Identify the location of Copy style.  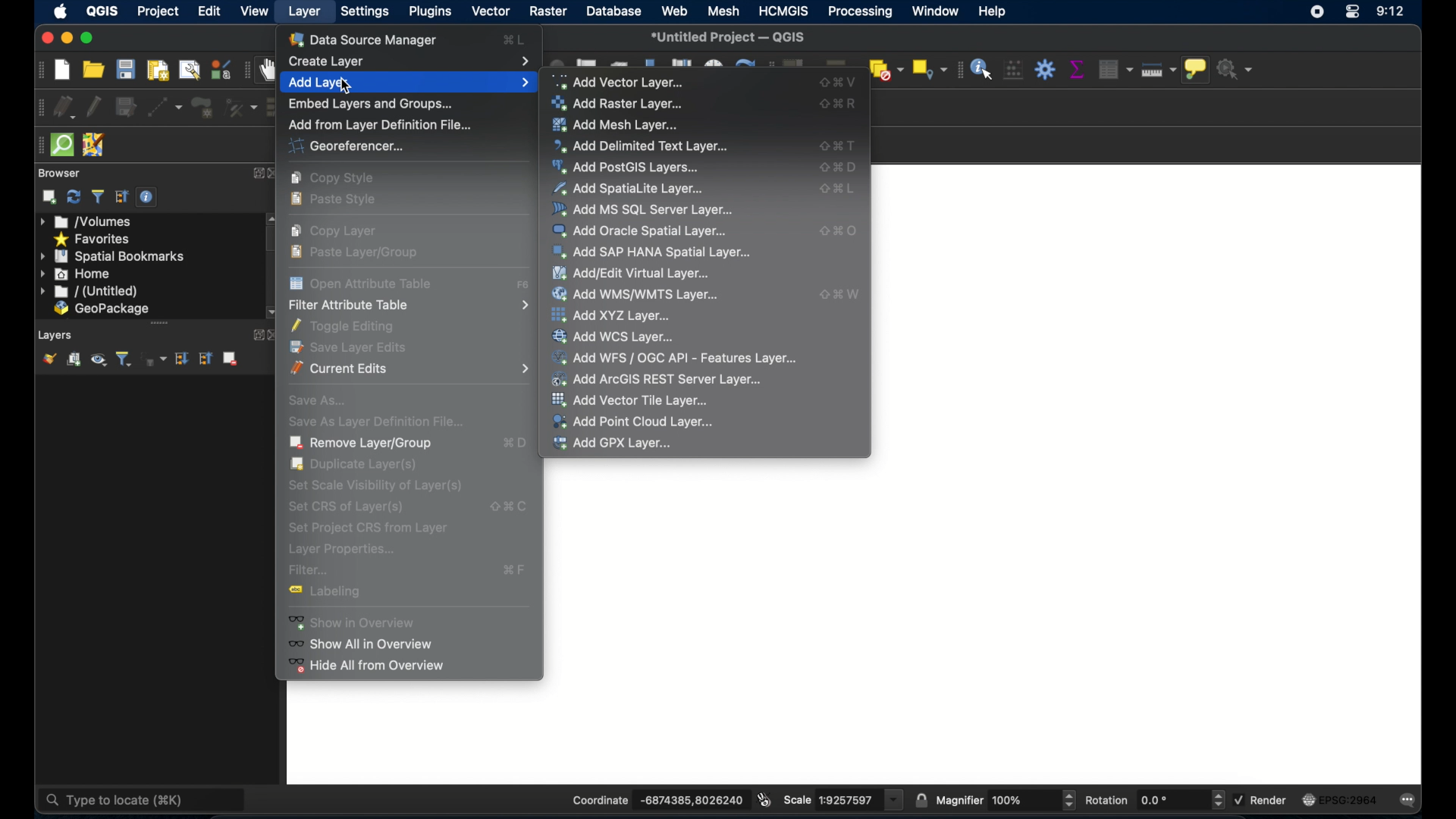
(342, 178).